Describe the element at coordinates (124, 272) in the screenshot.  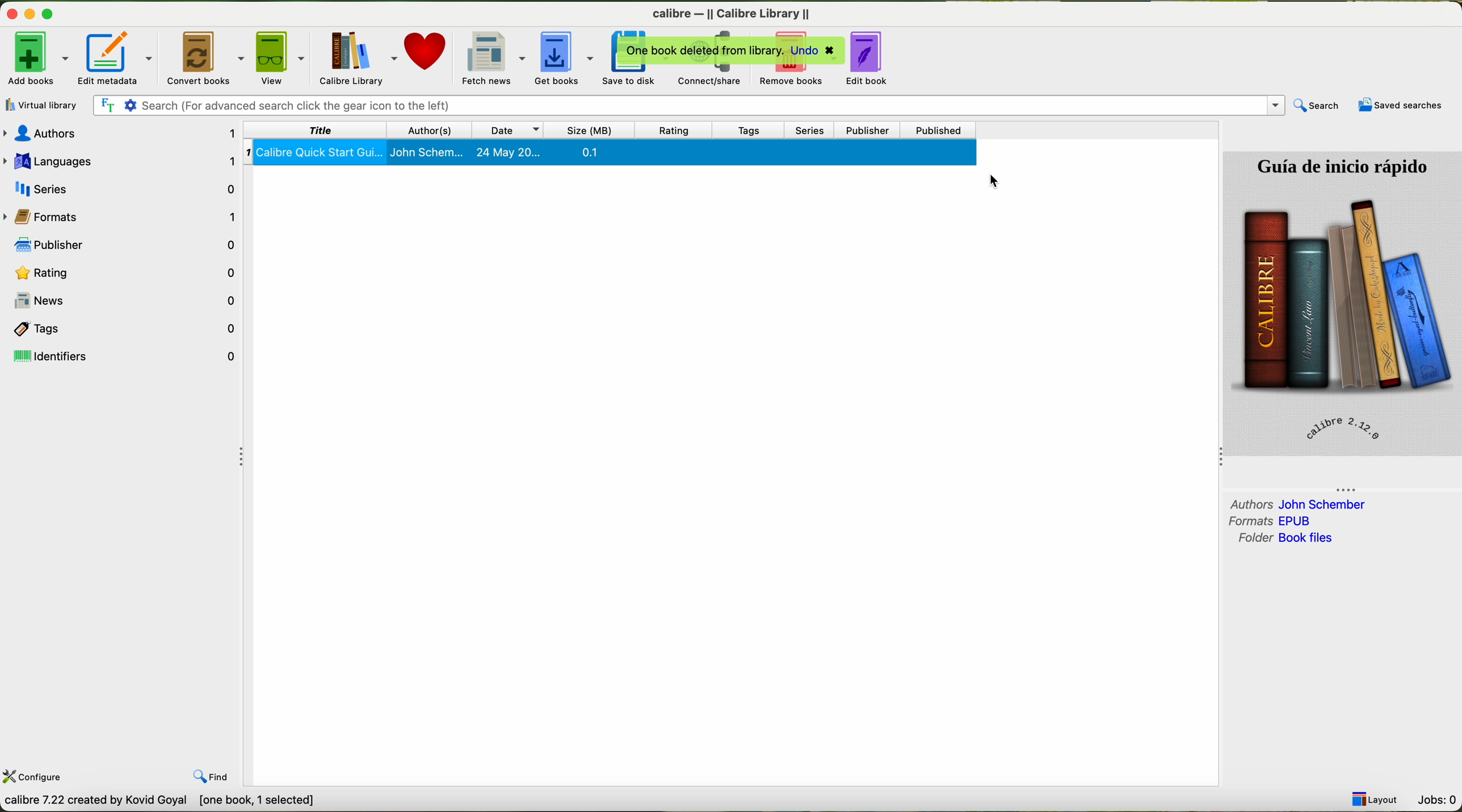
I see `rating` at that location.